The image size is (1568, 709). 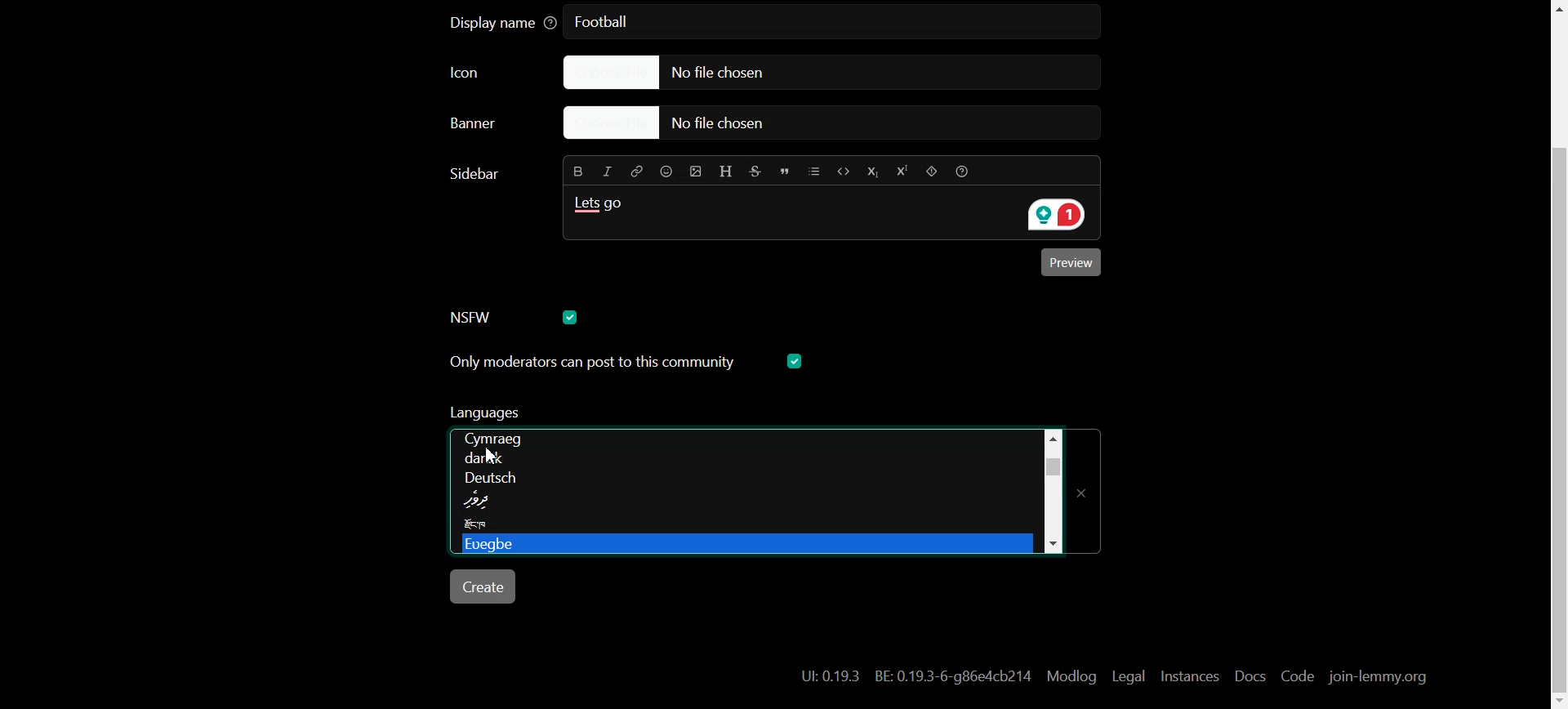 I want to click on Italic, so click(x=608, y=170).